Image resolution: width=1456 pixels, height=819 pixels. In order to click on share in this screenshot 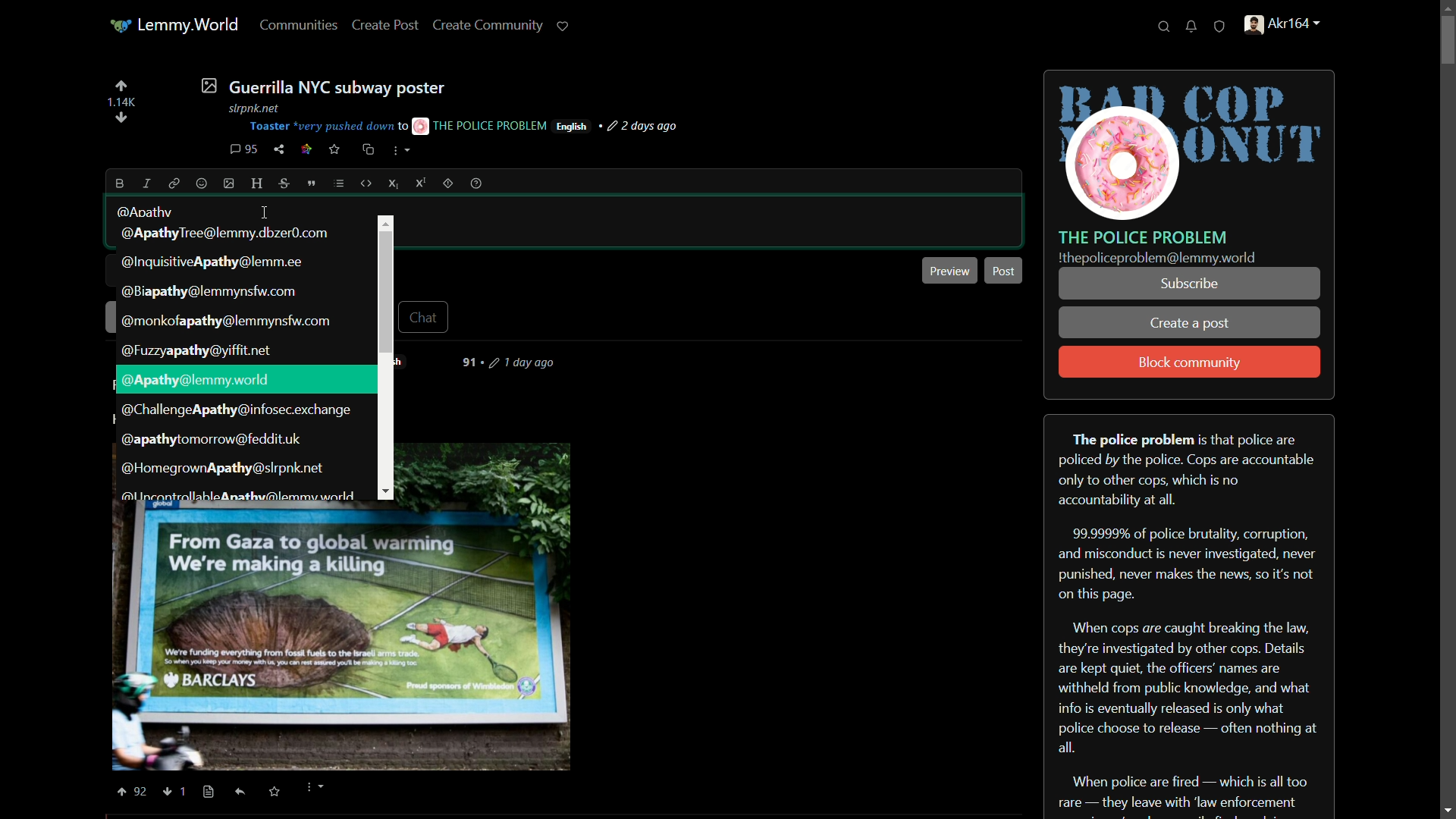, I will do `click(279, 149)`.